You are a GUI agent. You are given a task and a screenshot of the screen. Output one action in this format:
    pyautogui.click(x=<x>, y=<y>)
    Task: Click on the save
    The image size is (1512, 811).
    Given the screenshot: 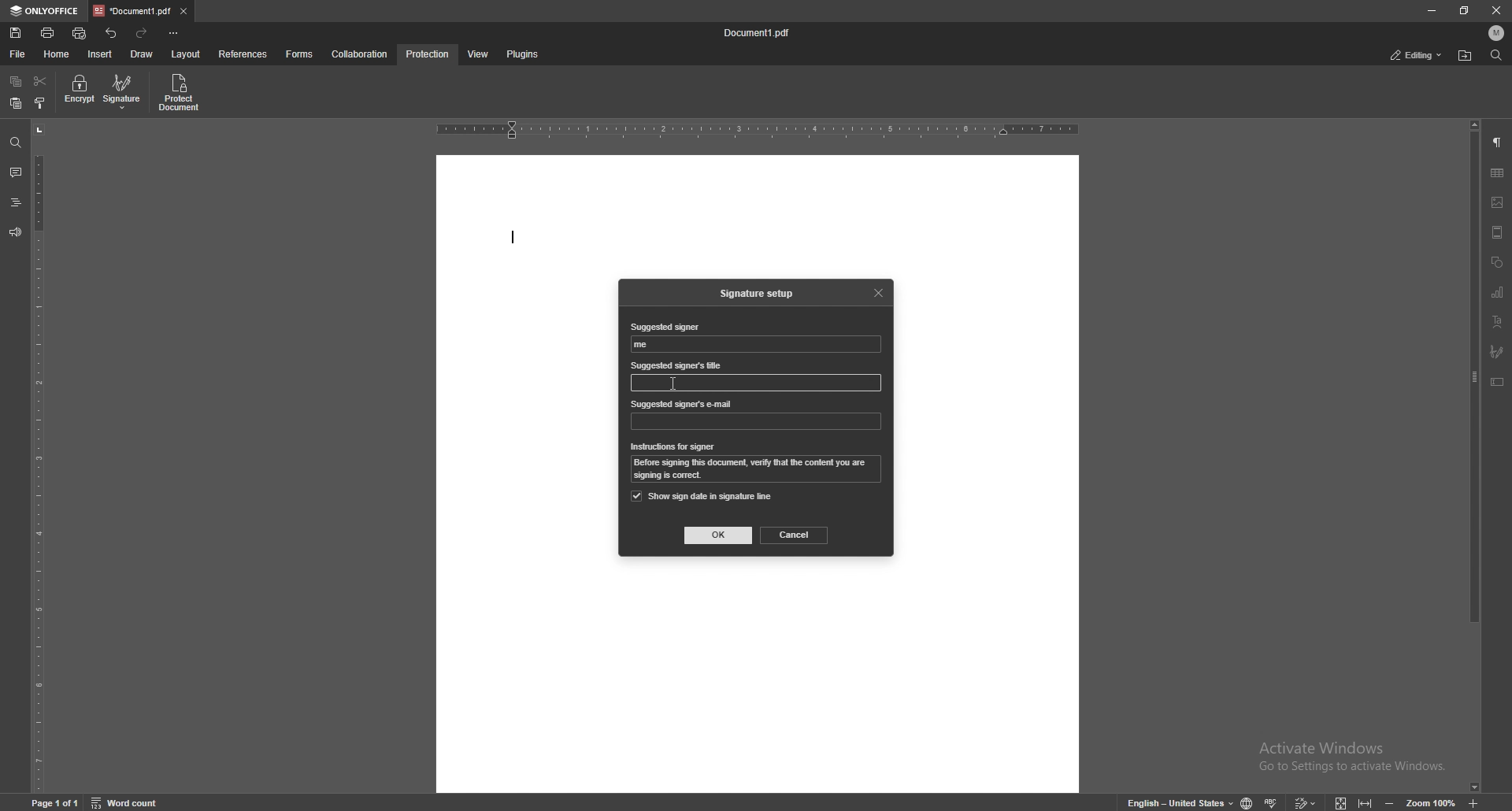 What is the action you would take?
    pyautogui.click(x=17, y=33)
    